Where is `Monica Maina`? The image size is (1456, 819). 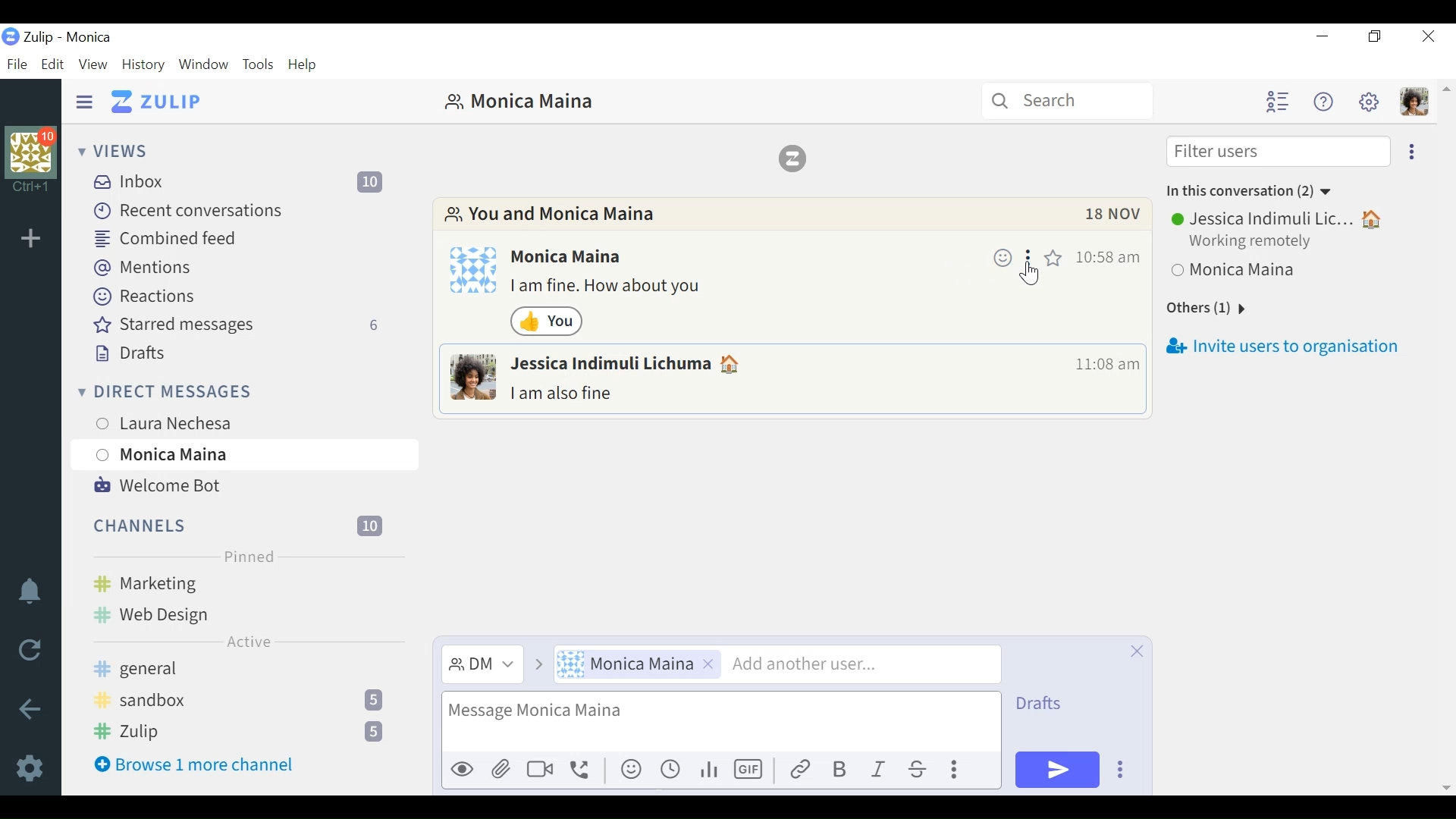
Monica Maina is located at coordinates (641, 665).